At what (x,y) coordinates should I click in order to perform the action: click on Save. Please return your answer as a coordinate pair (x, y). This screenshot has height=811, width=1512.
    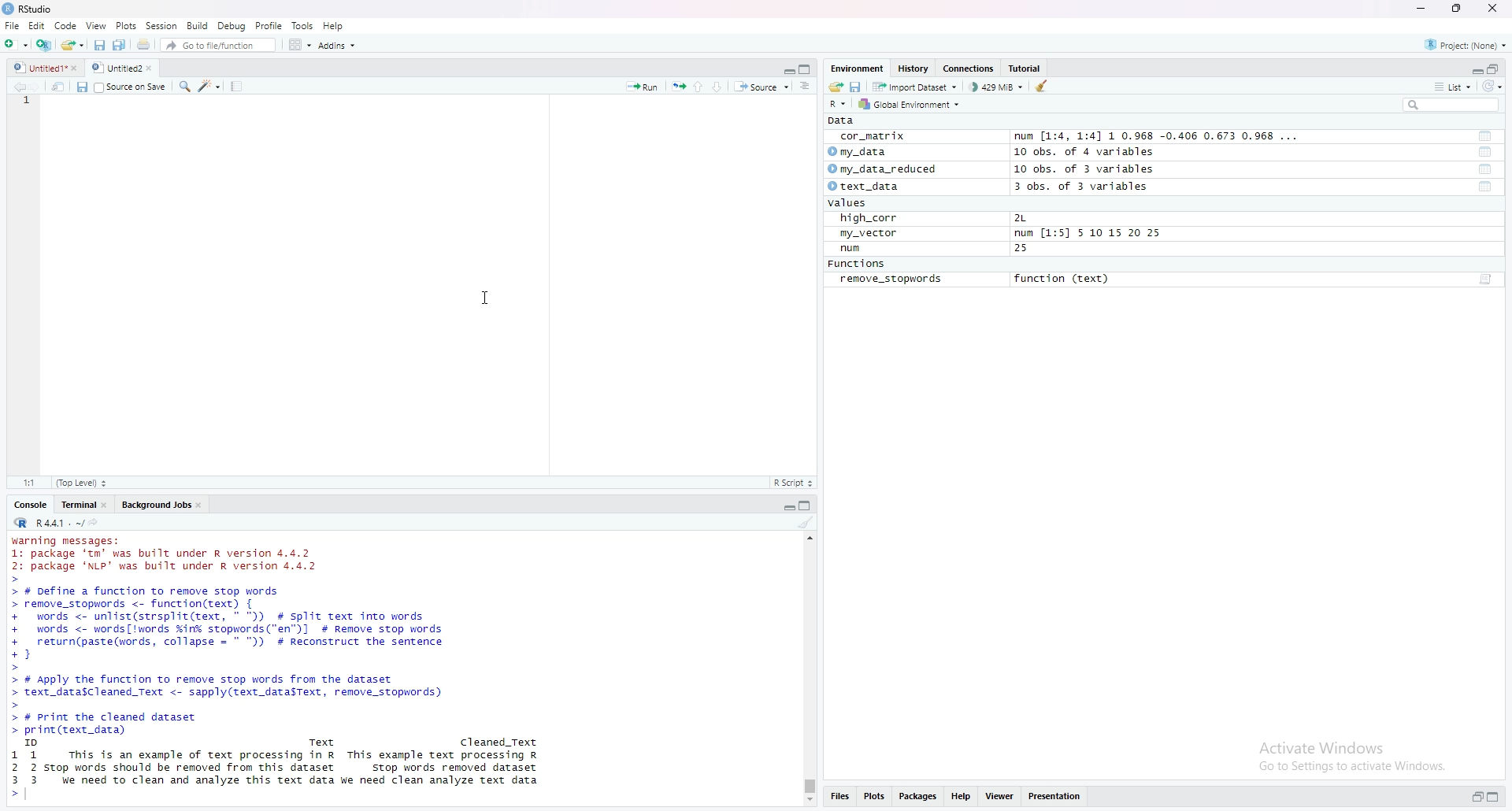
    Looking at the image, I should click on (855, 87).